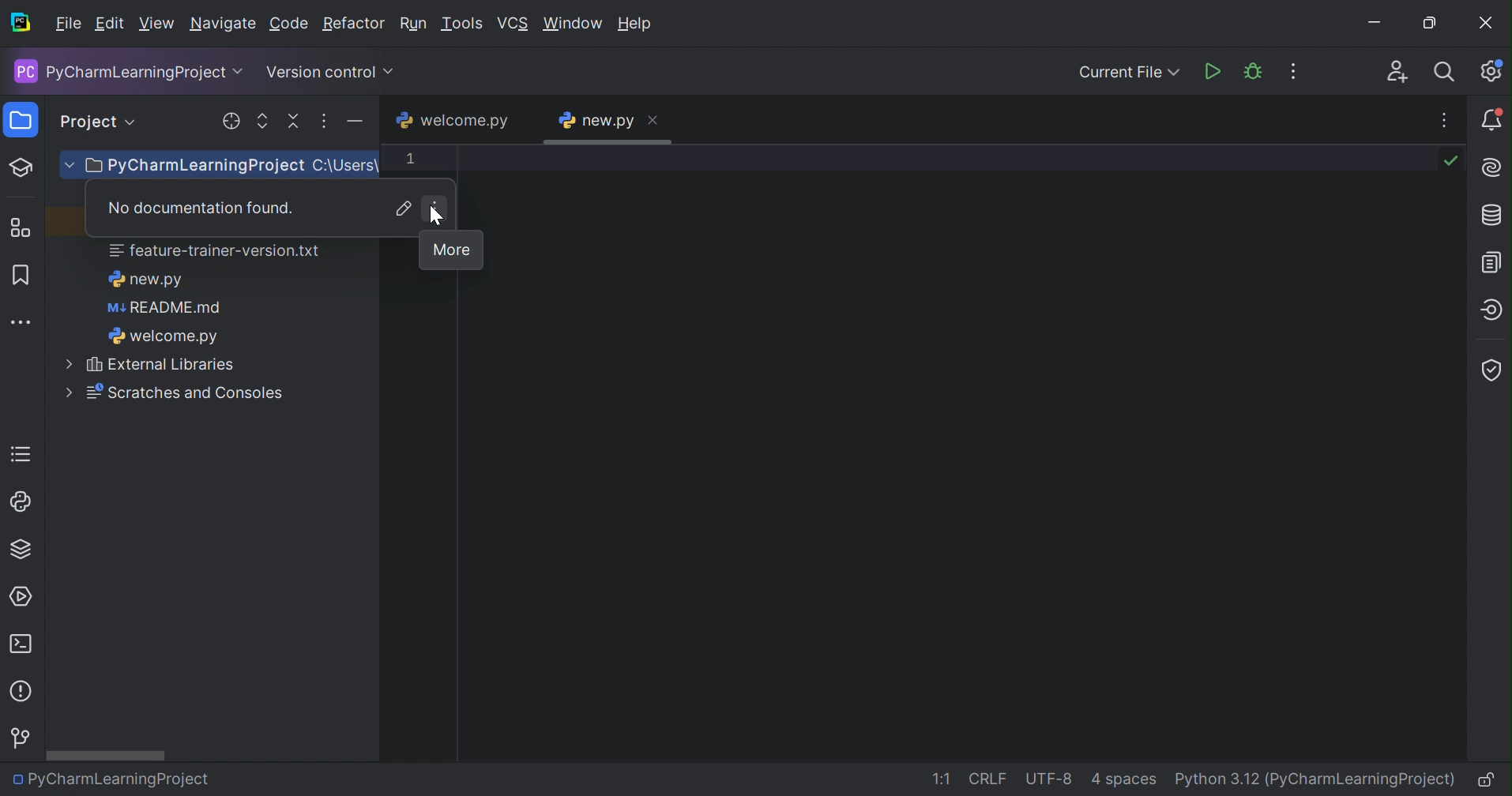 The image size is (1512, 796). I want to click on VCS, so click(515, 24).